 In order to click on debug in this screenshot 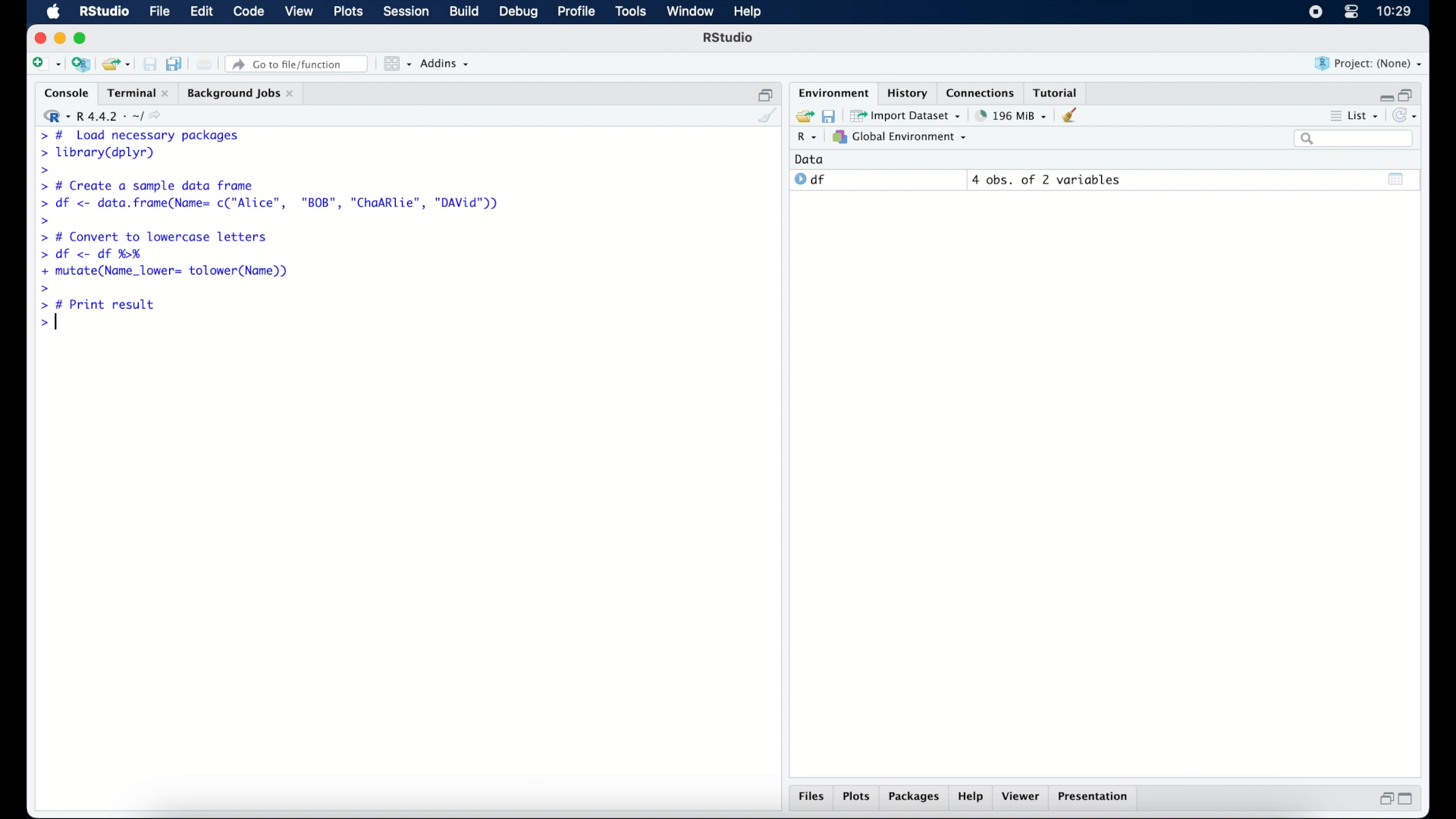, I will do `click(519, 13)`.